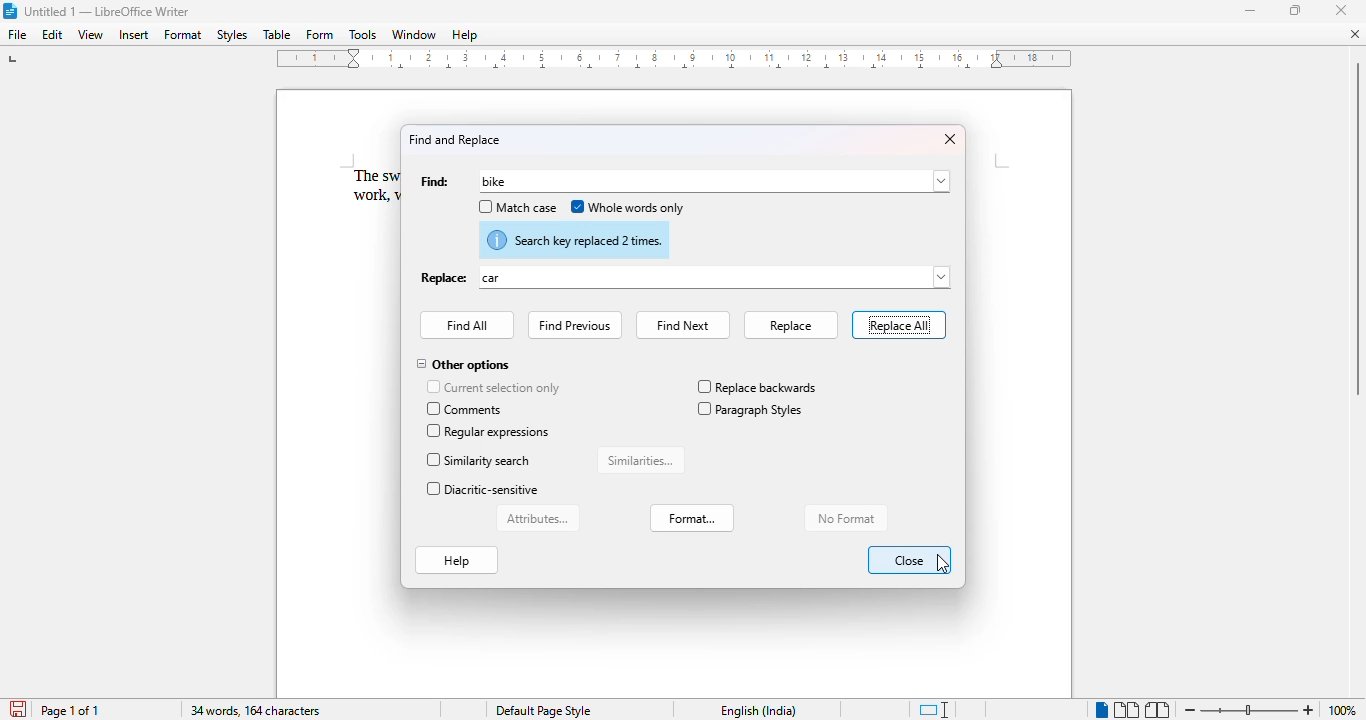 Image resolution: width=1366 pixels, height=720 pixels. What do you see at coordinates (941, 181) in the screenshot?
I see `browse` at bounding box center [941, 181].